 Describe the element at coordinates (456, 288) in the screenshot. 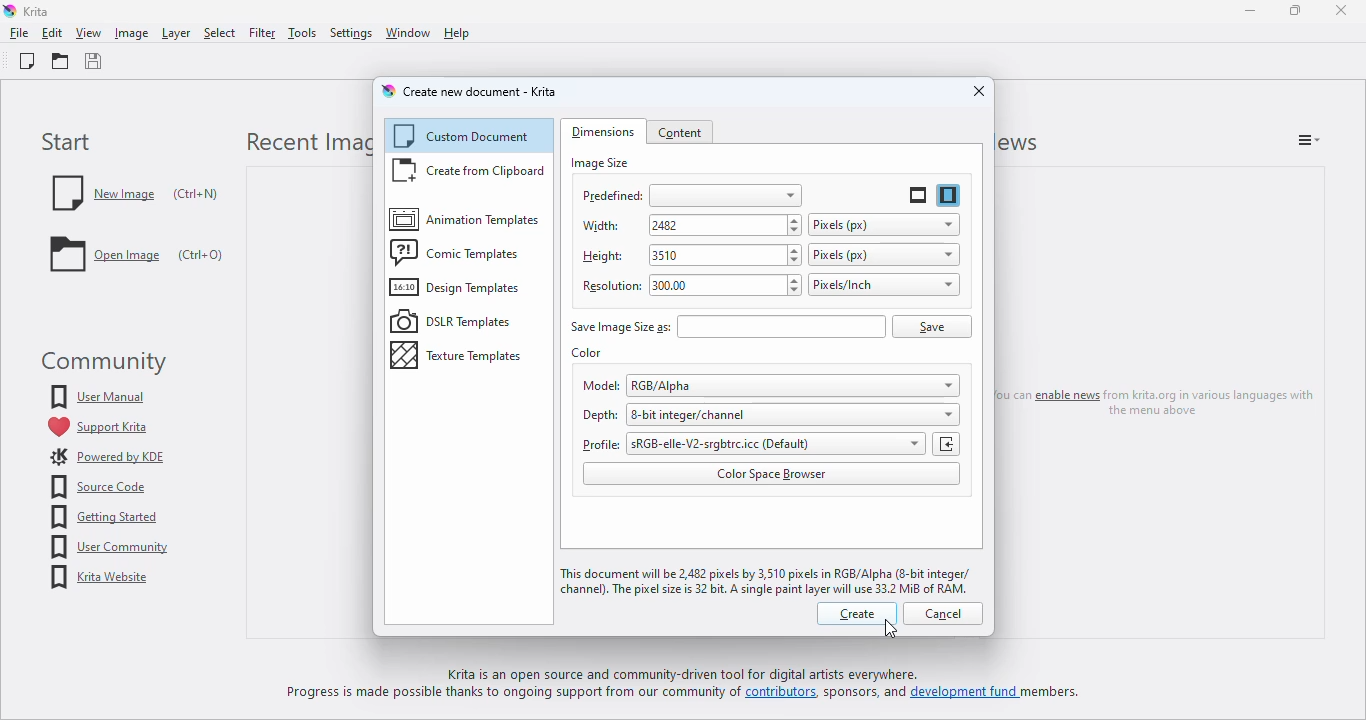

I see `design templates` at that location.